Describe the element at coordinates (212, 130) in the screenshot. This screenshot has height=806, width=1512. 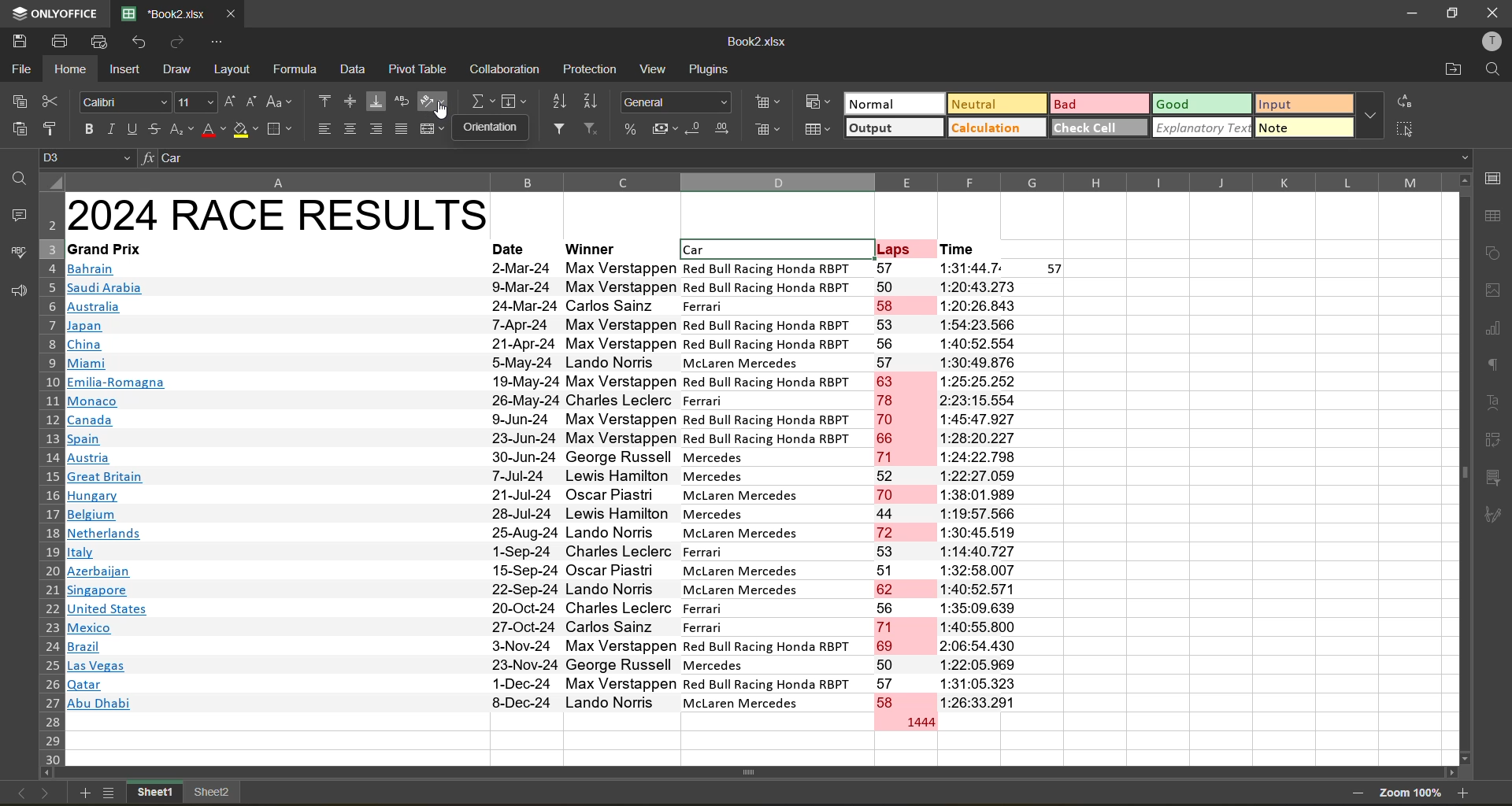
I see `font color` at that location.